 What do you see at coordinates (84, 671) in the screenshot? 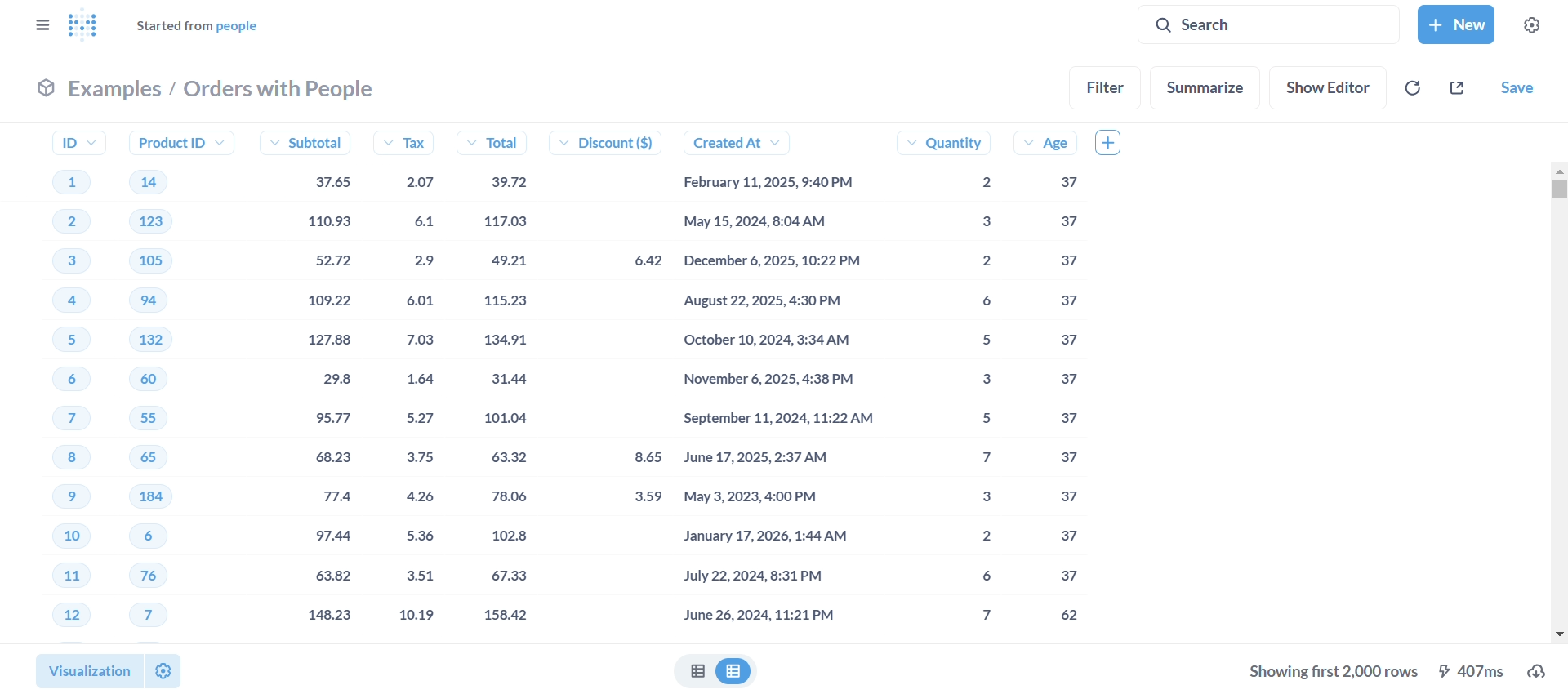
I see `visualization` at bounding box center [84, 671].